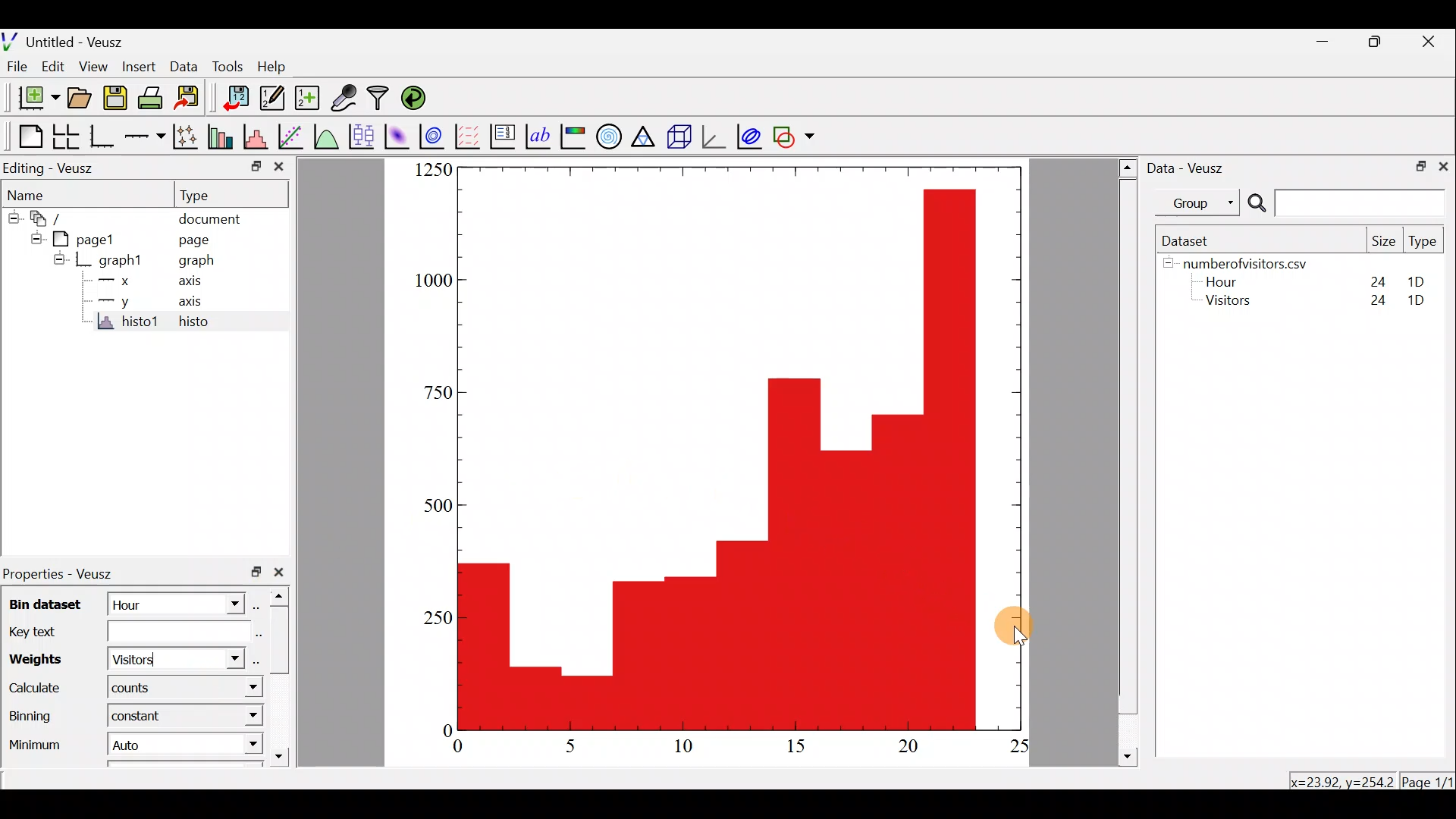 Image resolution: width=1456 pixels, height=819 pixels. I want to click on y, so click(127, 304).